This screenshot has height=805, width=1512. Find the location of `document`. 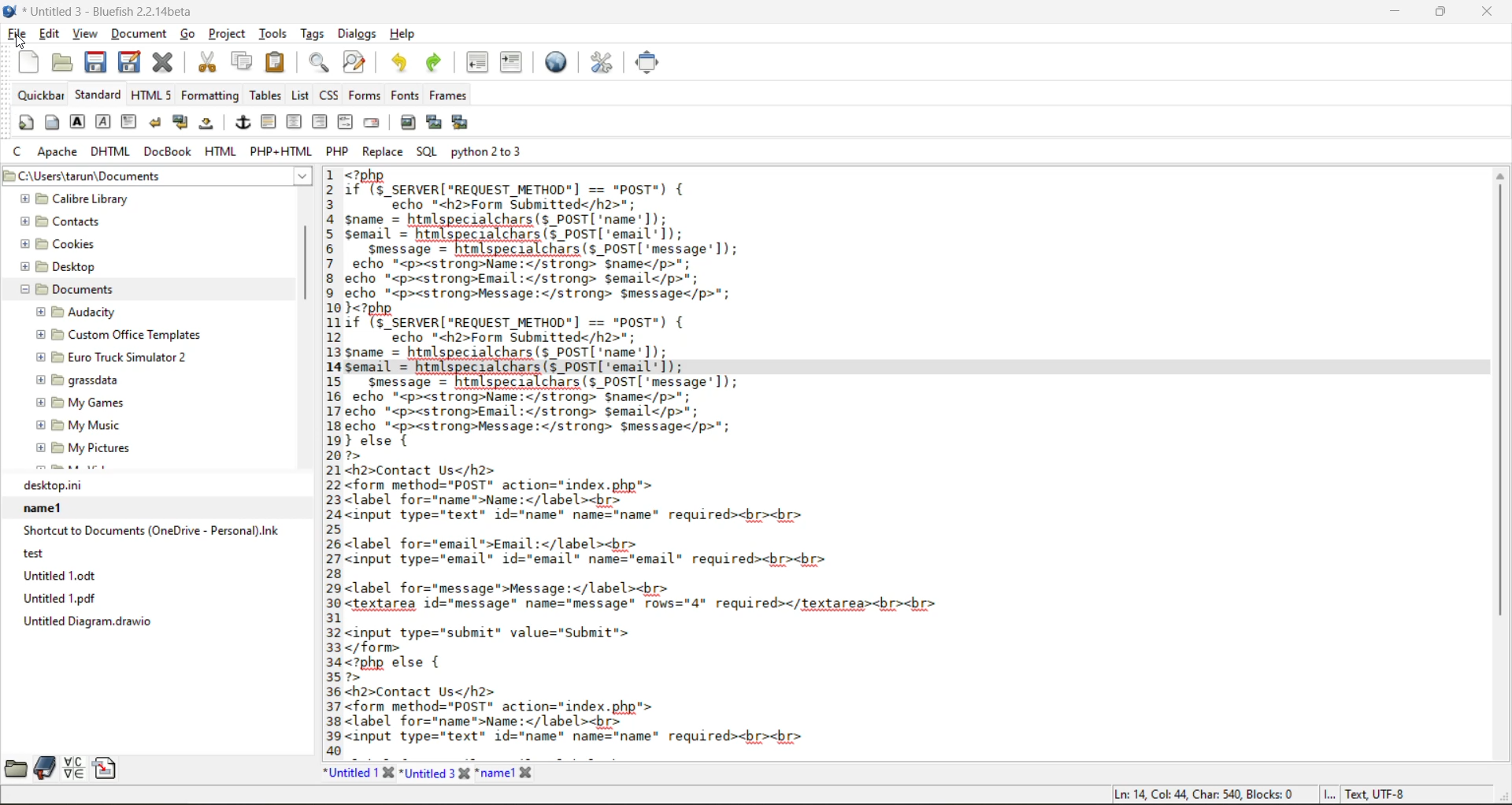

document is located at coordinates (139, 38).